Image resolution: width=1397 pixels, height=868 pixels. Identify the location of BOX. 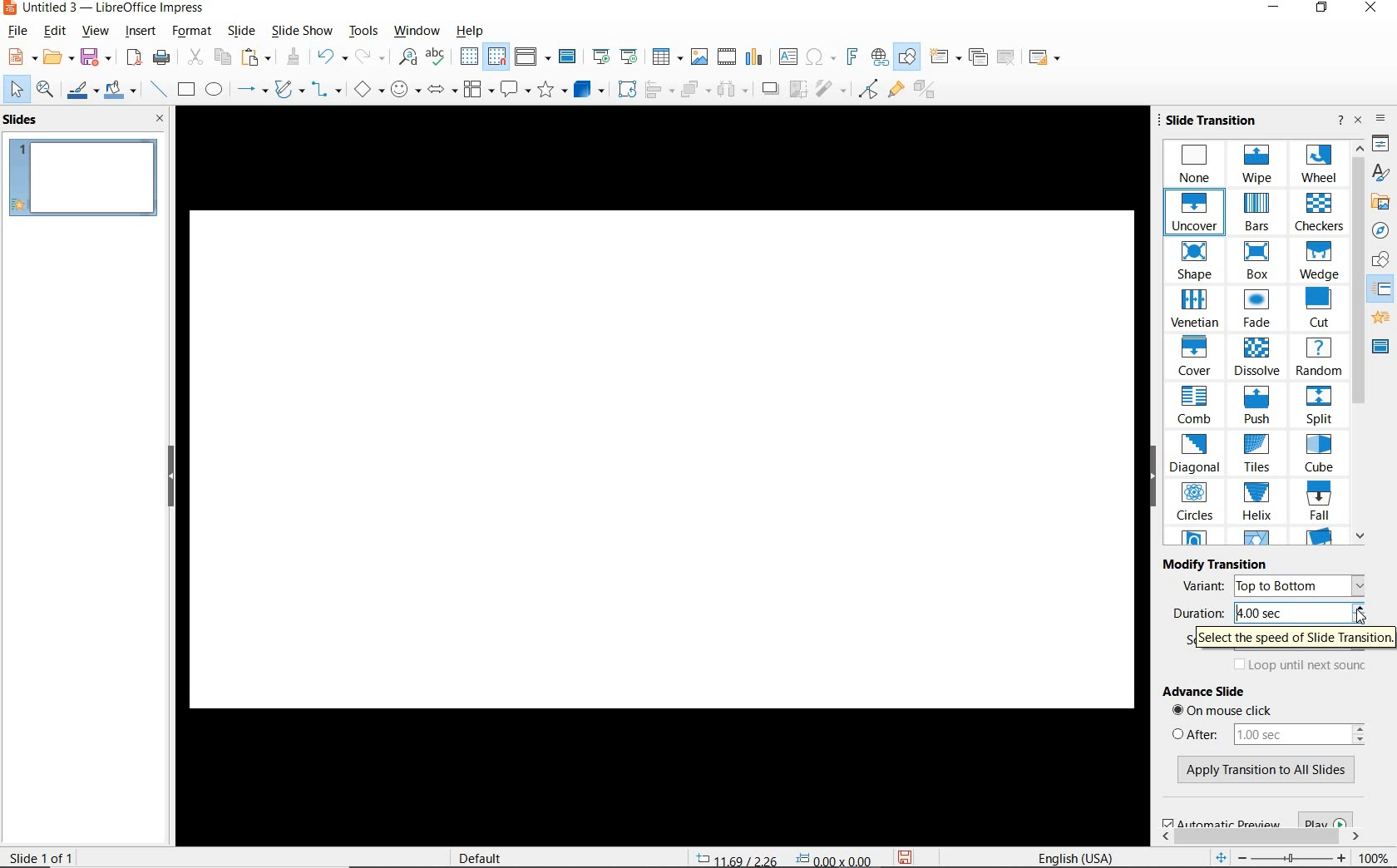
(1257, 263).